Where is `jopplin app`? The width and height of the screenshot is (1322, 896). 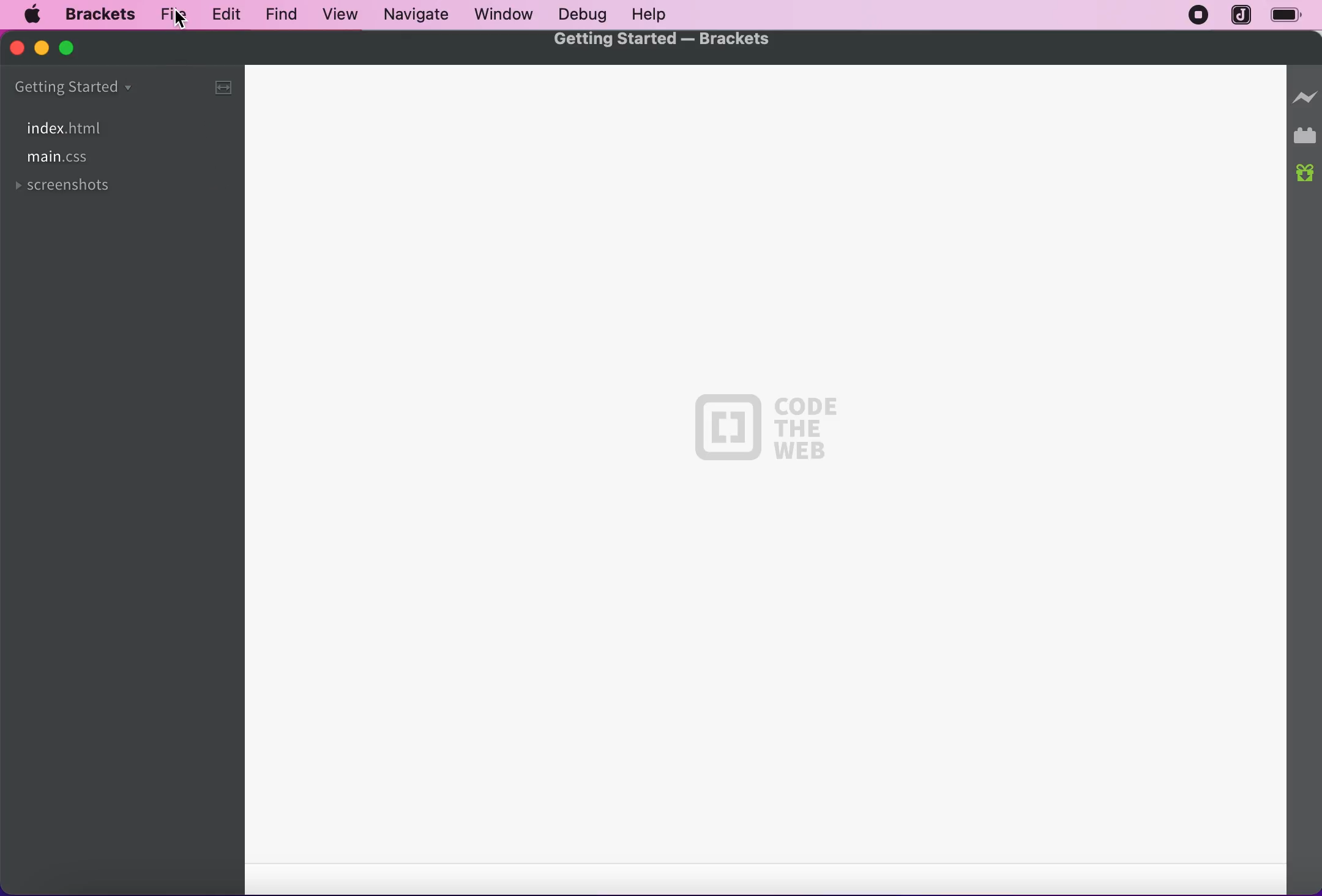 jopplin app is located at coordinates (1242, 16).